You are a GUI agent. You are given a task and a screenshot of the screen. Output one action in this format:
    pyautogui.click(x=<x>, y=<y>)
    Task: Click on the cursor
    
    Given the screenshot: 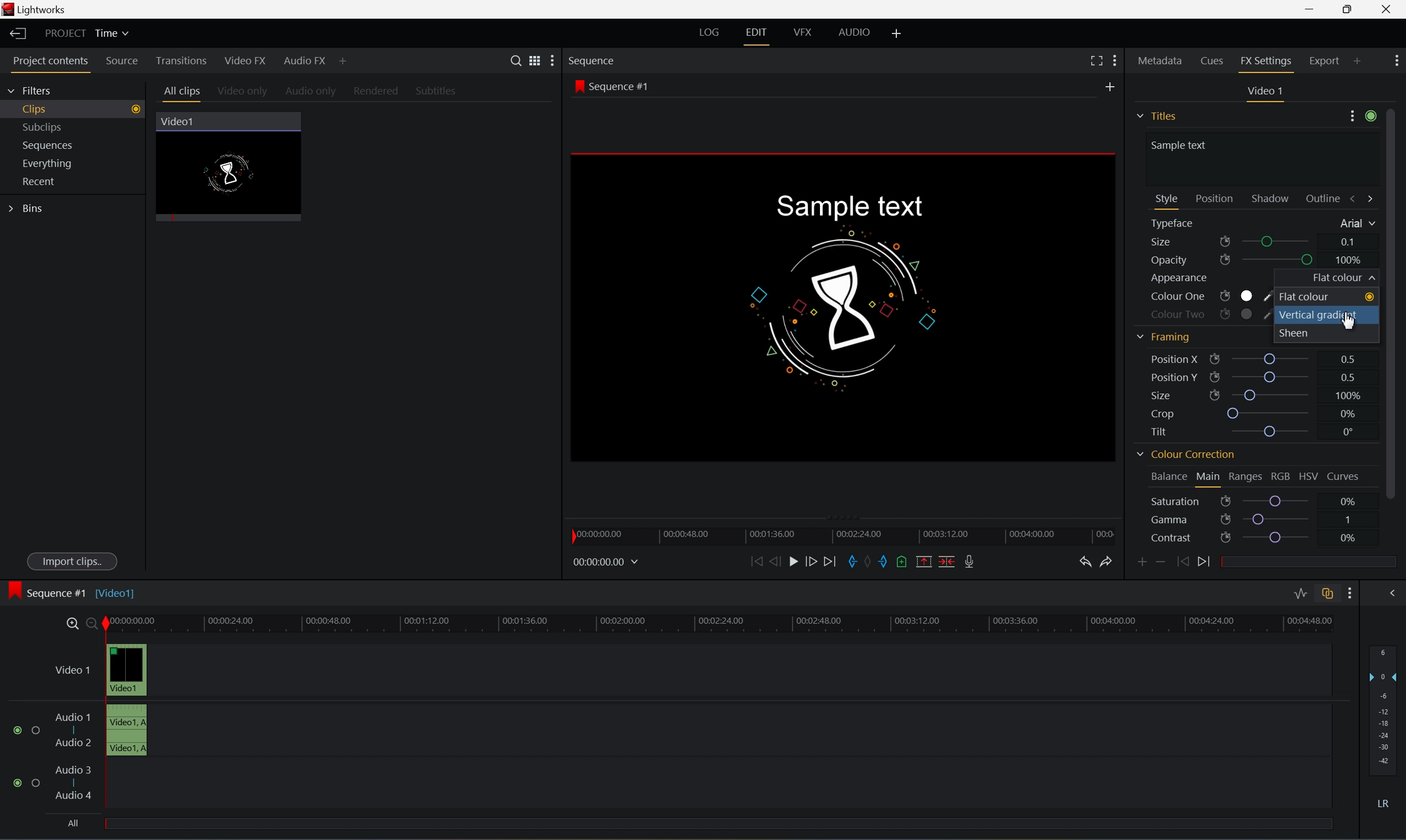 What is the action you would take?
    pyautogui.click(x=1347, y=324)
    